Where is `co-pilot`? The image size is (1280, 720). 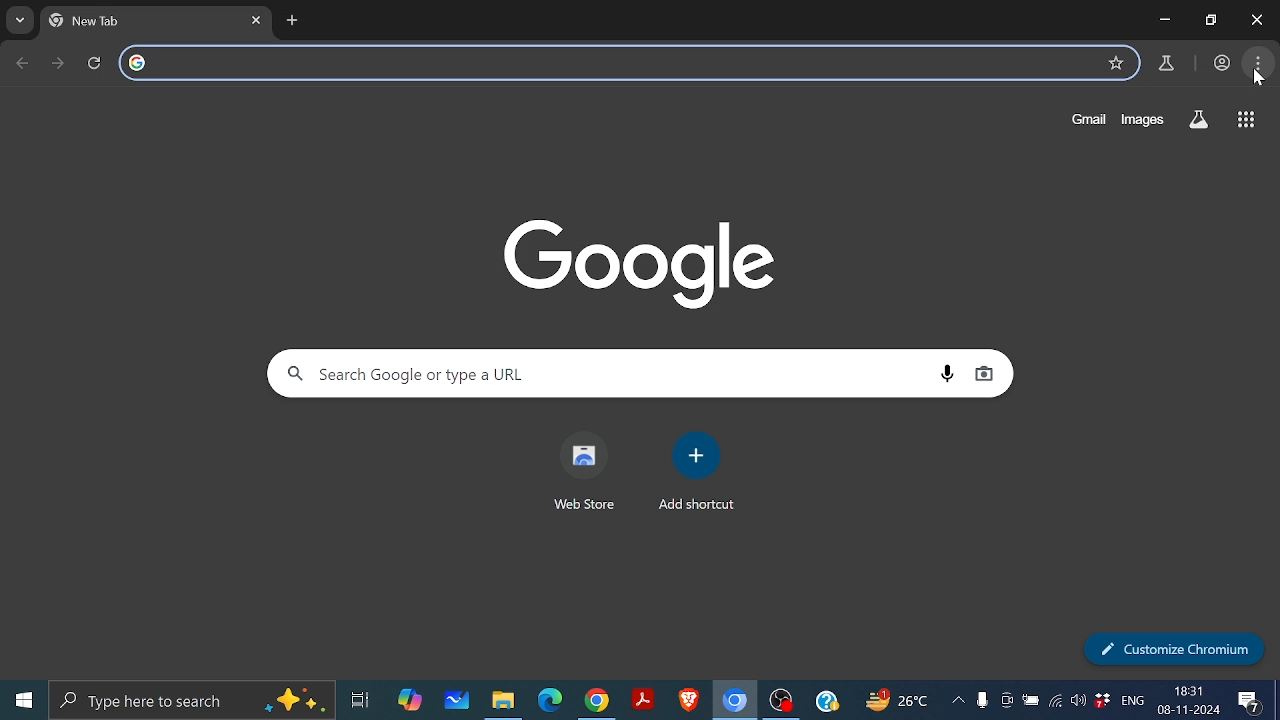
co-pilot is located at coordinates (411, 701).